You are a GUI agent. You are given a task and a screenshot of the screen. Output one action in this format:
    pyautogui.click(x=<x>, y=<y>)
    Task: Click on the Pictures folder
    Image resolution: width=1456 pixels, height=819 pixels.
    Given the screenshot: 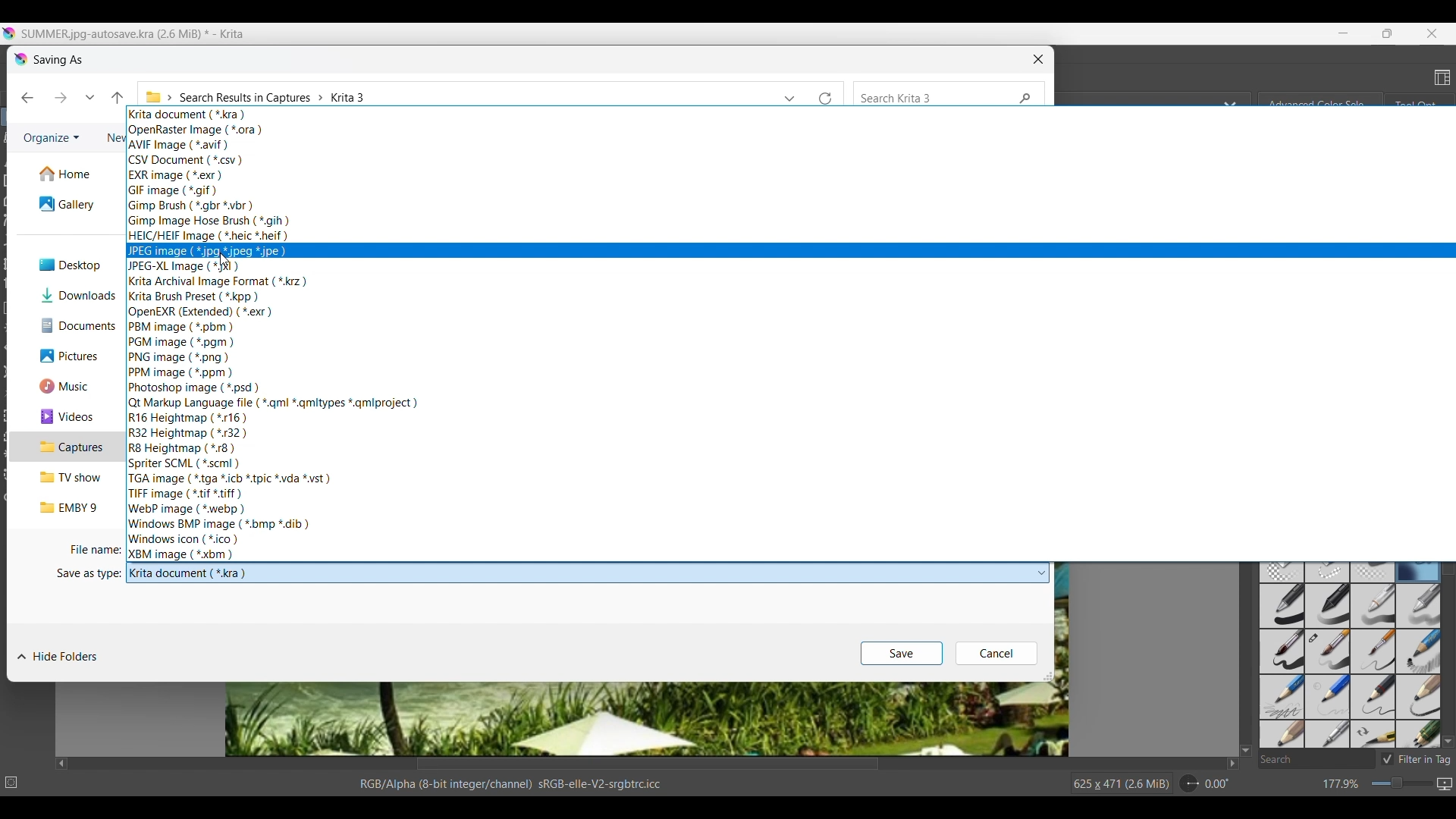 What is the action you would take?
    pyautogui.click(x=63, y=356)
    